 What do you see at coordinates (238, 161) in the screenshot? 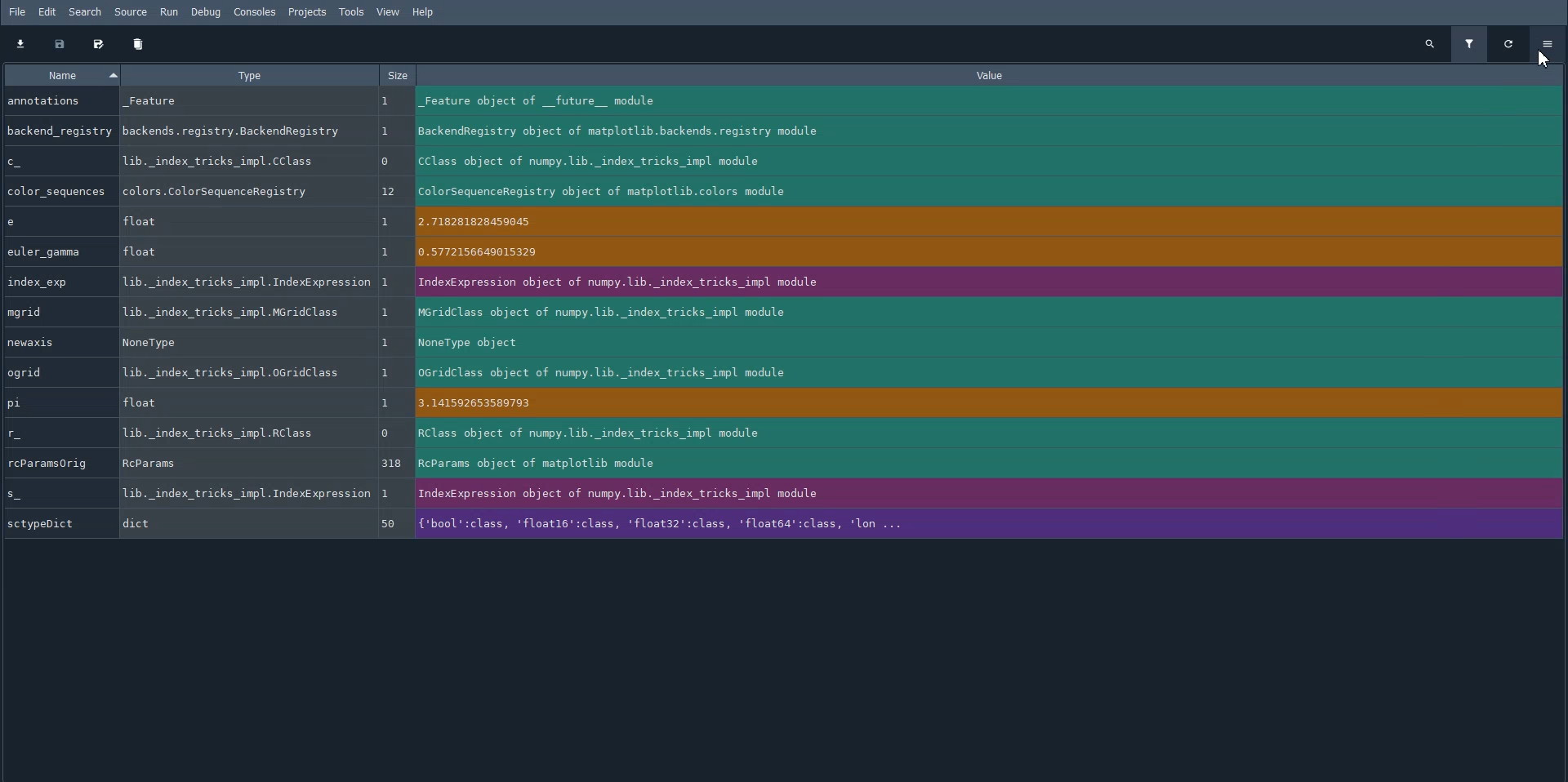
I see `type vallue` at bounding box center [238, 161].